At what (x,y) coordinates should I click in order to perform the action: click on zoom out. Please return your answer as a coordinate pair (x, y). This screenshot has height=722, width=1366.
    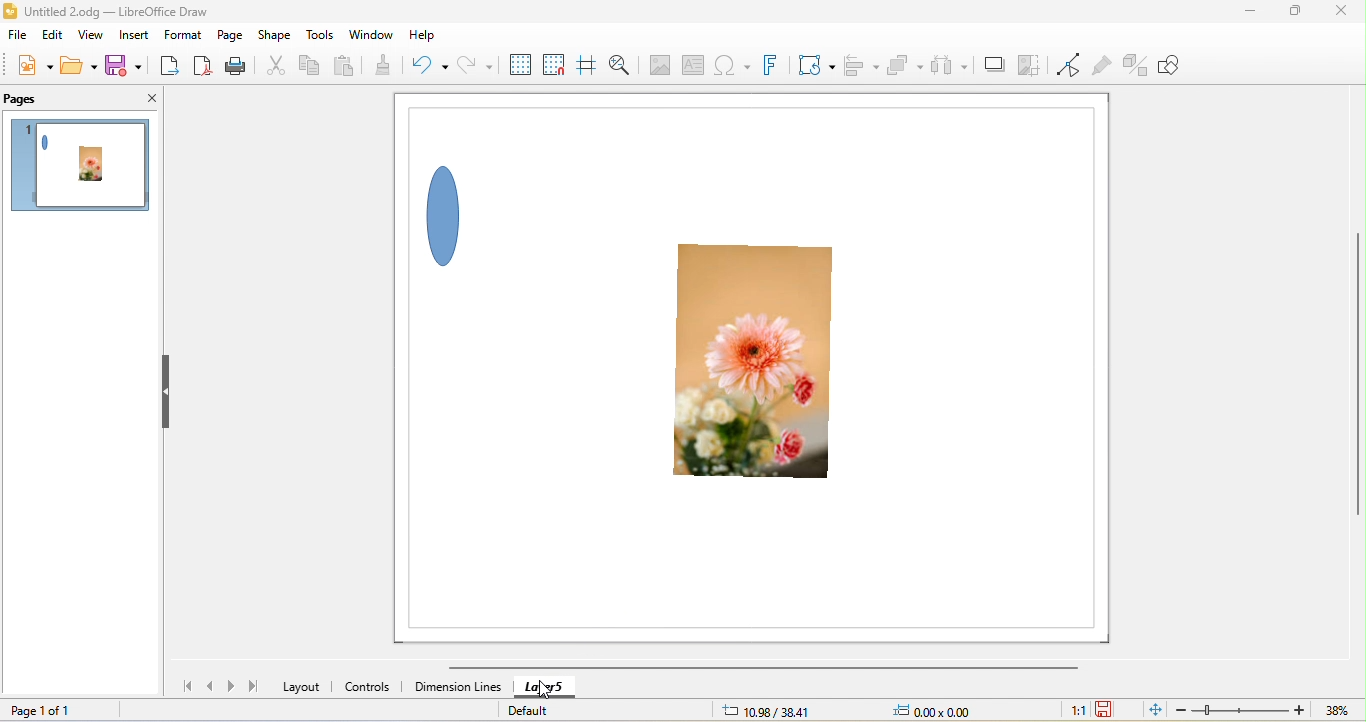
    Looking at the image, I should click on (1181, 709).